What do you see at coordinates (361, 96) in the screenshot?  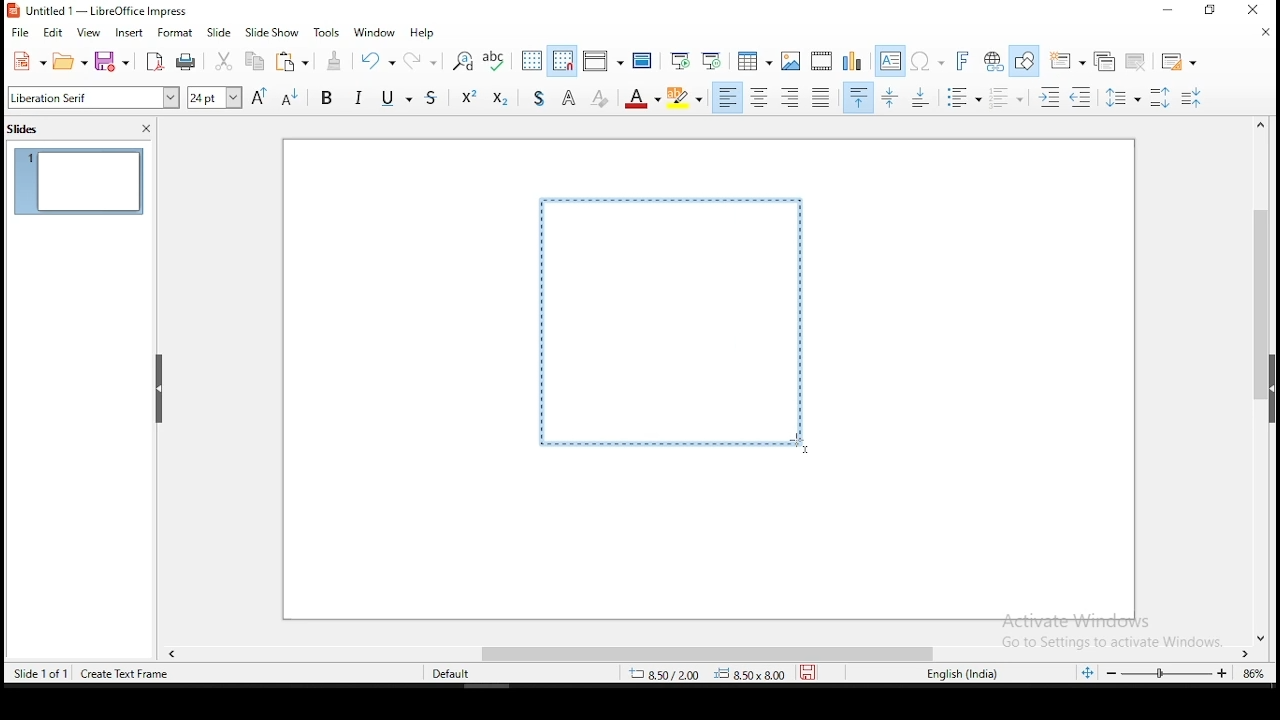 I see `italics` at bounding box center [361, 96].